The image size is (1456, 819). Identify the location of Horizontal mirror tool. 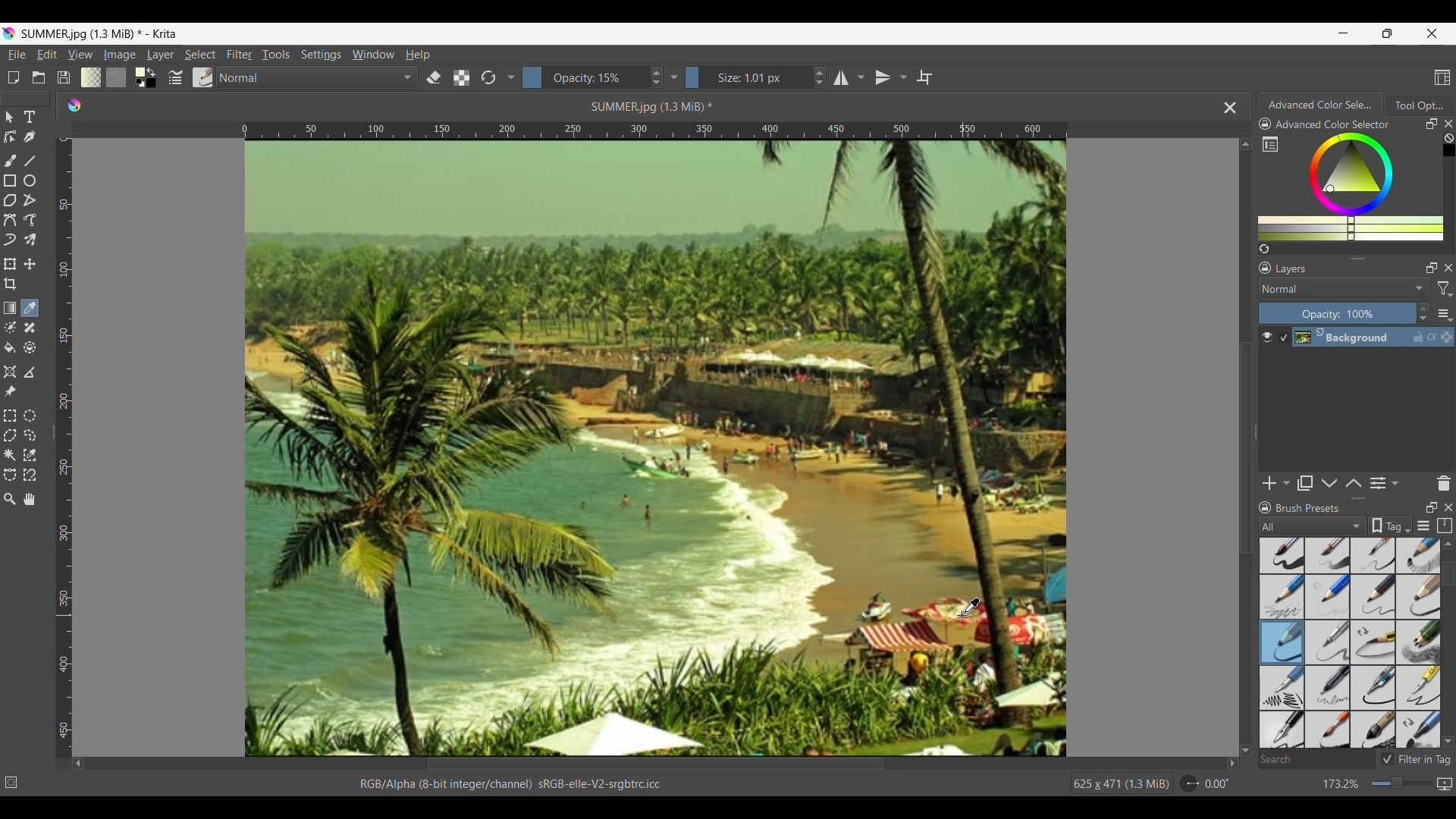
(839, 77).